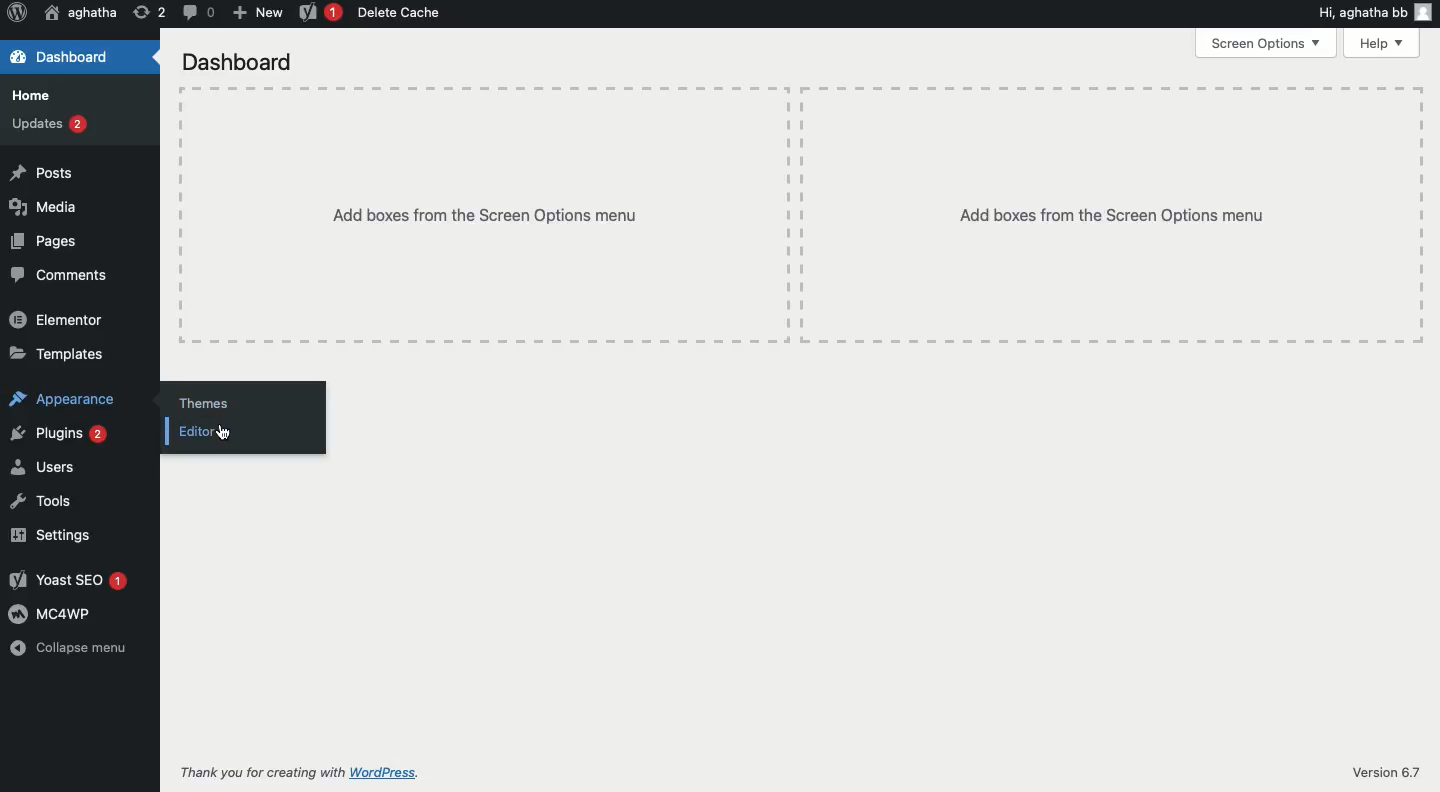  I want to click on Appearance, so click(68, 403).